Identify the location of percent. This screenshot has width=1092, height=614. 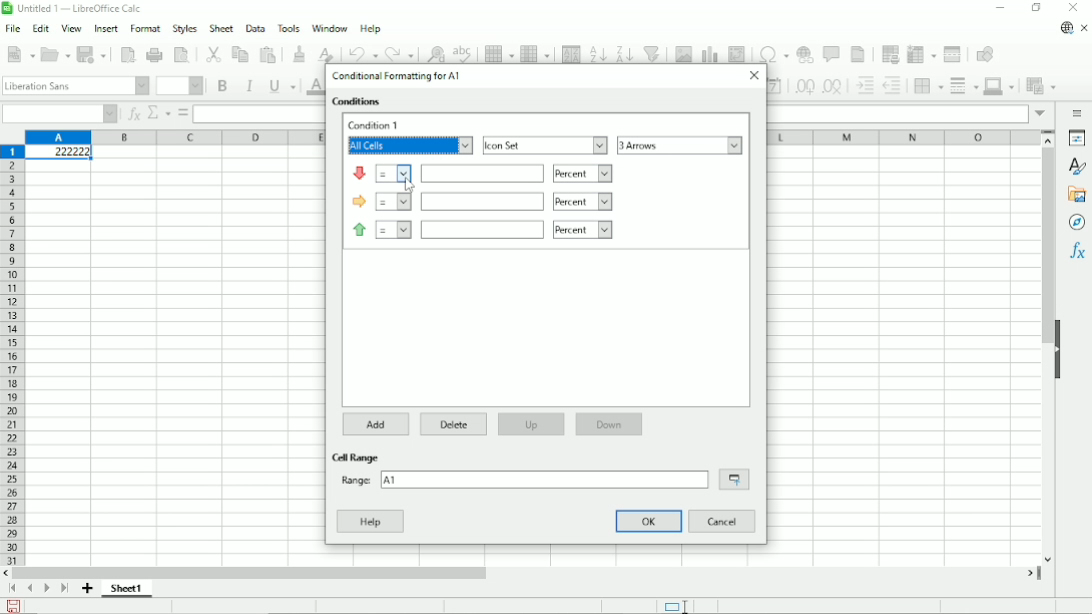
(583, 202).